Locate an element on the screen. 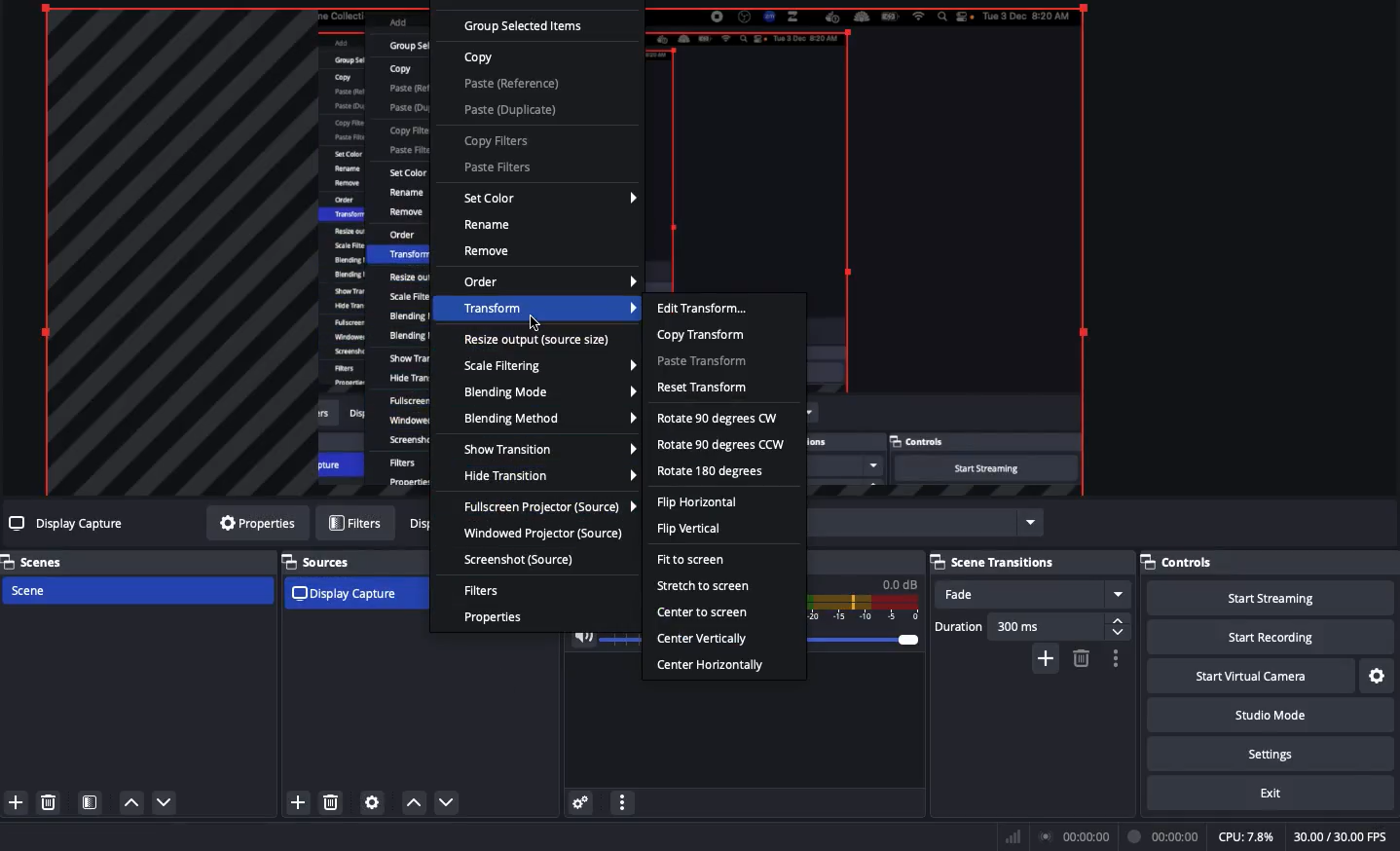 Image resolution: width=1400 pixels, height=851 pixels. No sources selected is located at coordinates (67, 524).